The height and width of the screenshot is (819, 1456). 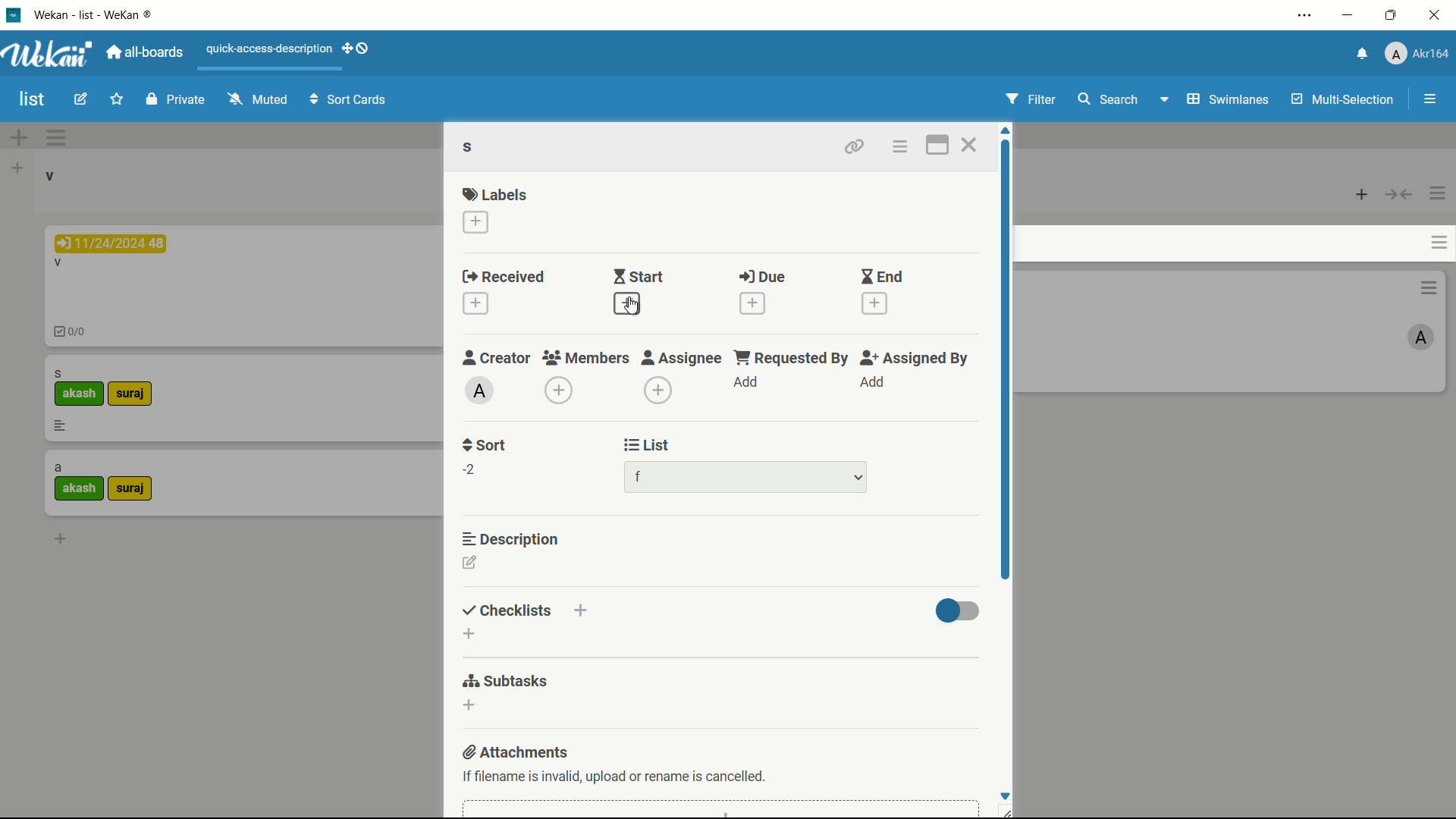 I want to click on close card, so click(x=971, y=146).